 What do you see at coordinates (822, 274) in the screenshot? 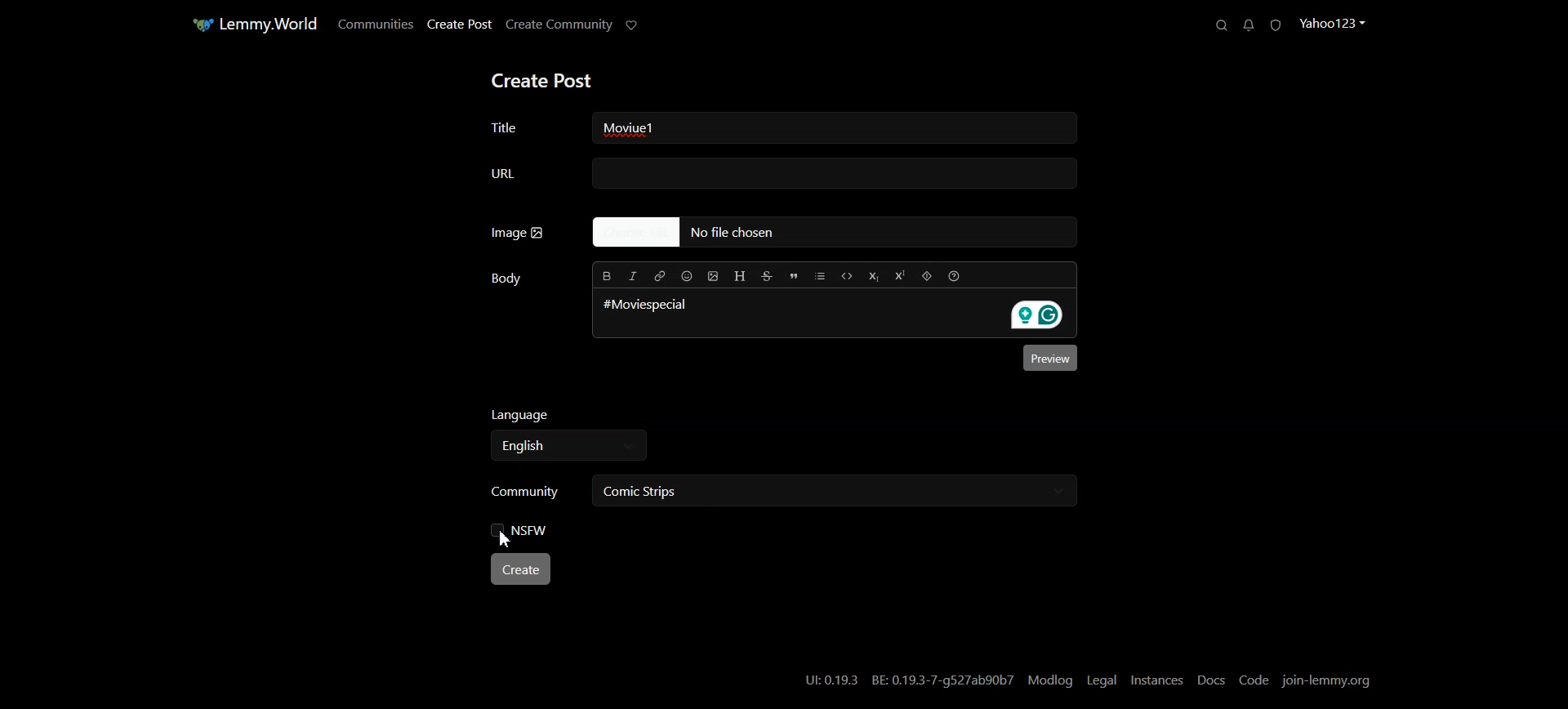
I see `List` at bounding box center [822, 274].